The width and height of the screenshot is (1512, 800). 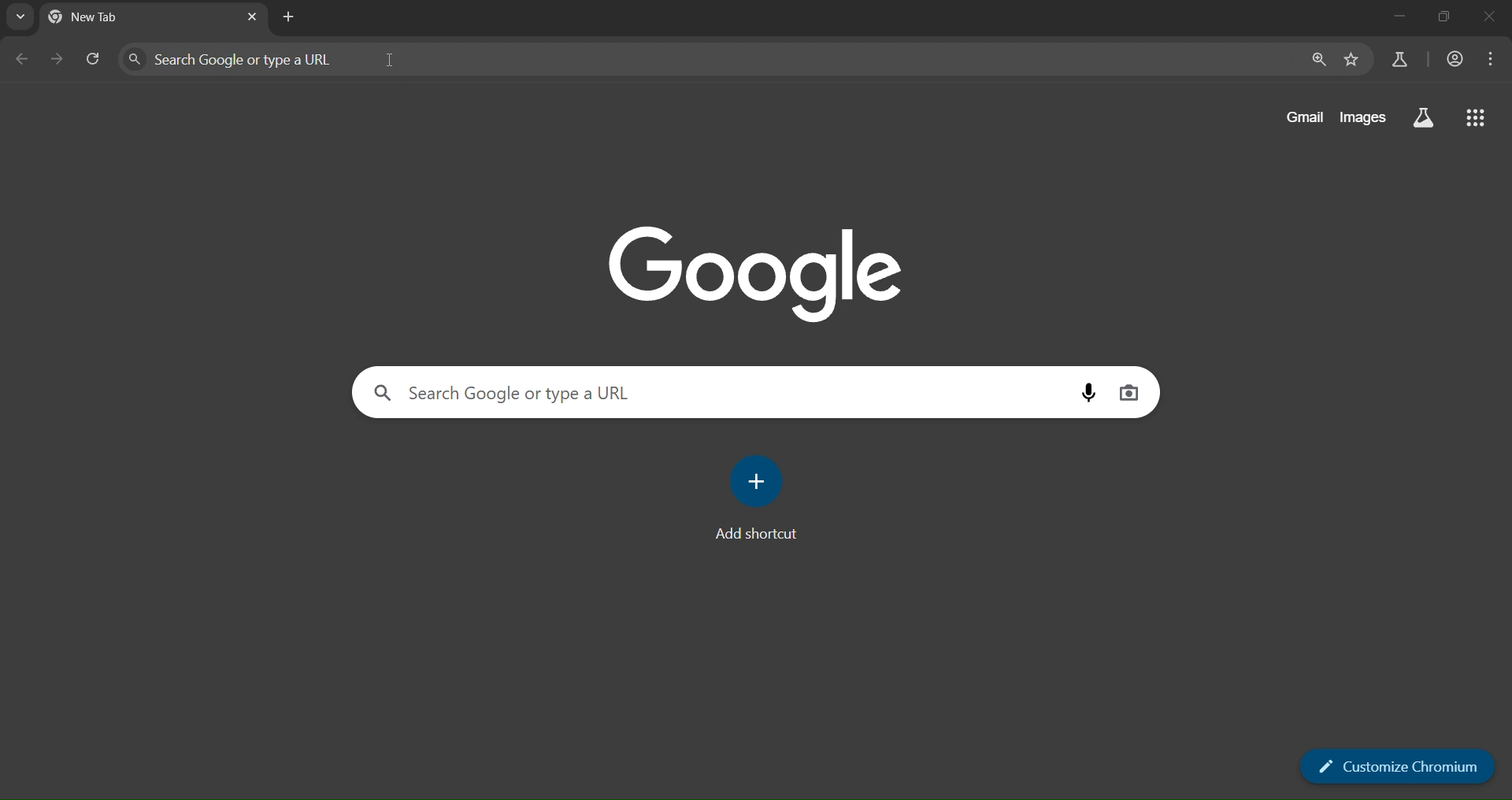 What do you see at coordinates (761, 270) in the screenshot?
I see `google` at bounding box center [761, 270].